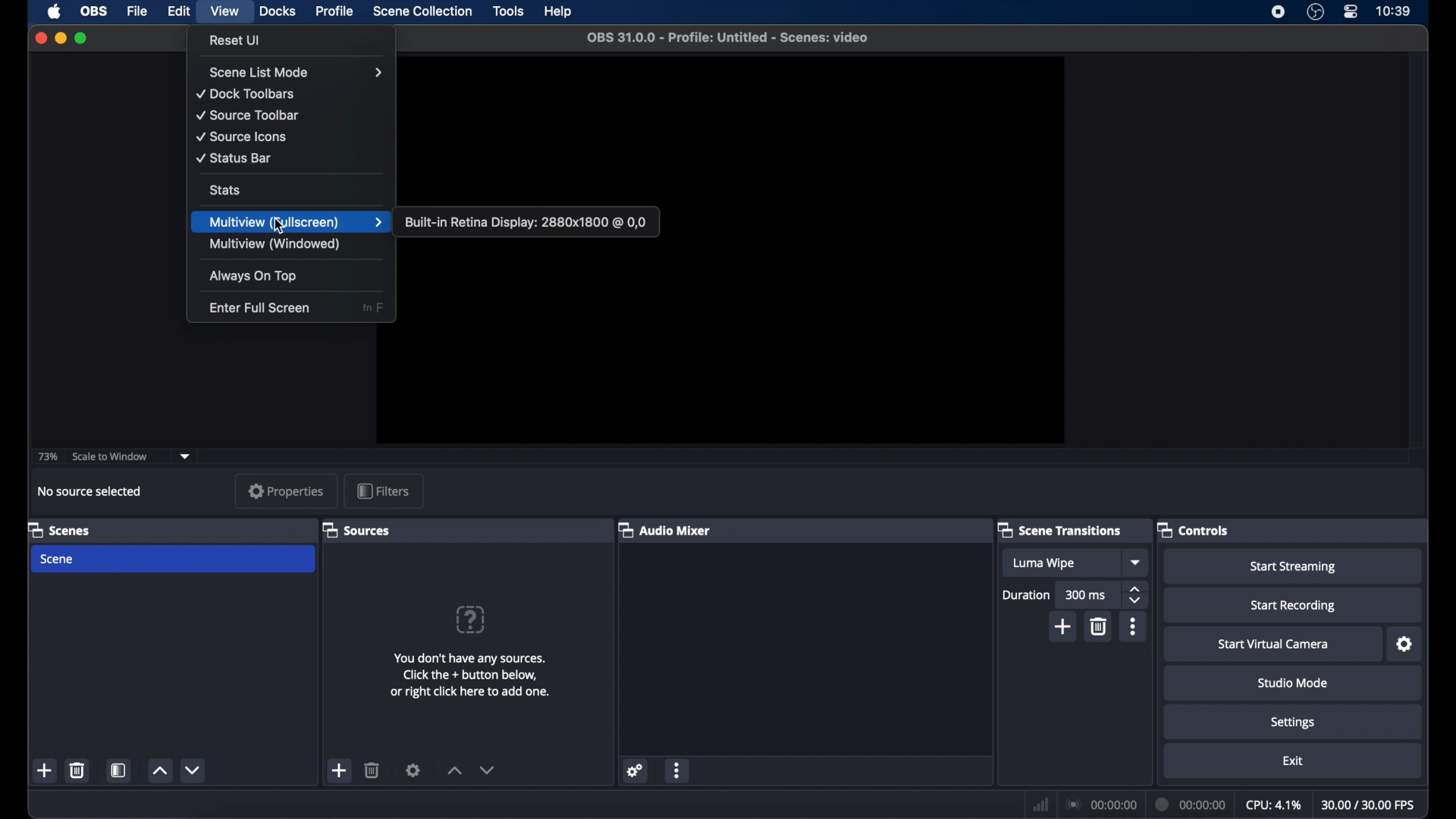 This screenshot has height=819, width=1456. What do you see at coordinates (1271, 643) in the screenshot?
I see `start virtual camera` at bounding box center [1271, 643].